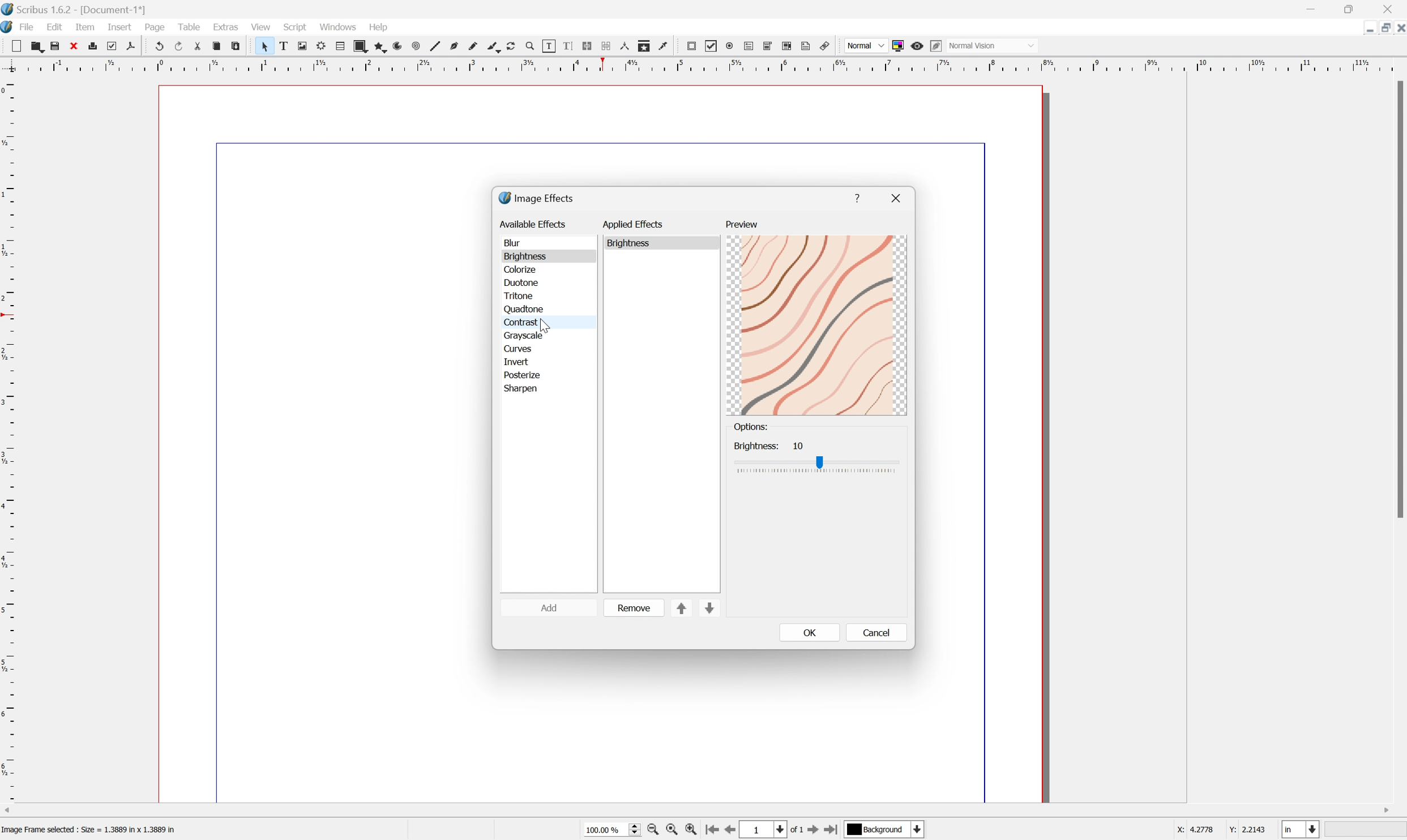 The height and width of the screenshot is (840, 1407). What do you see at coordinates (301, 44) in the screenshot?
I see `Image frame` at bounding box center [301, 44].